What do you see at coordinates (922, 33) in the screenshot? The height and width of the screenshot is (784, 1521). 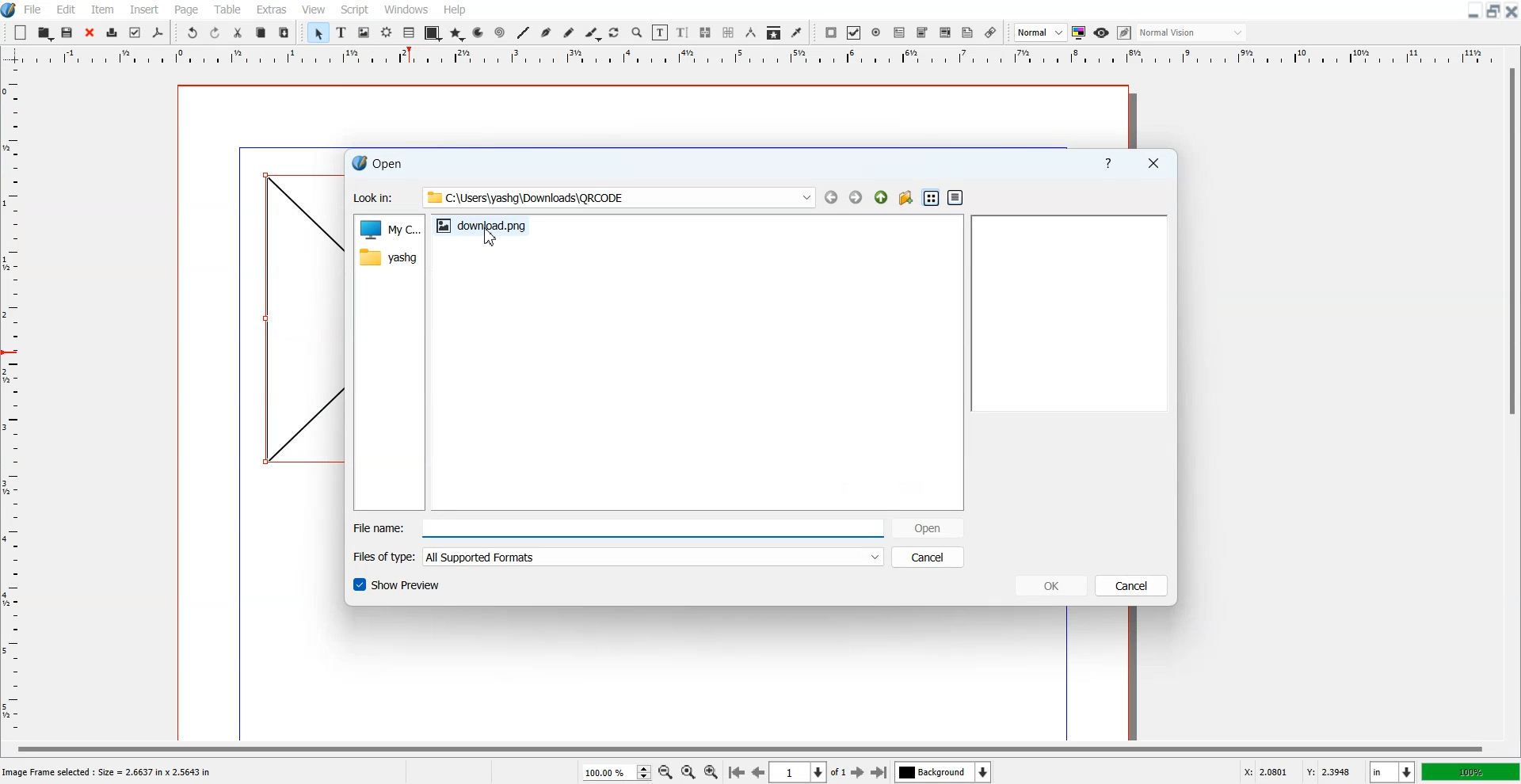 I see `PDF Combo Box` at bounding box center [922, 33].